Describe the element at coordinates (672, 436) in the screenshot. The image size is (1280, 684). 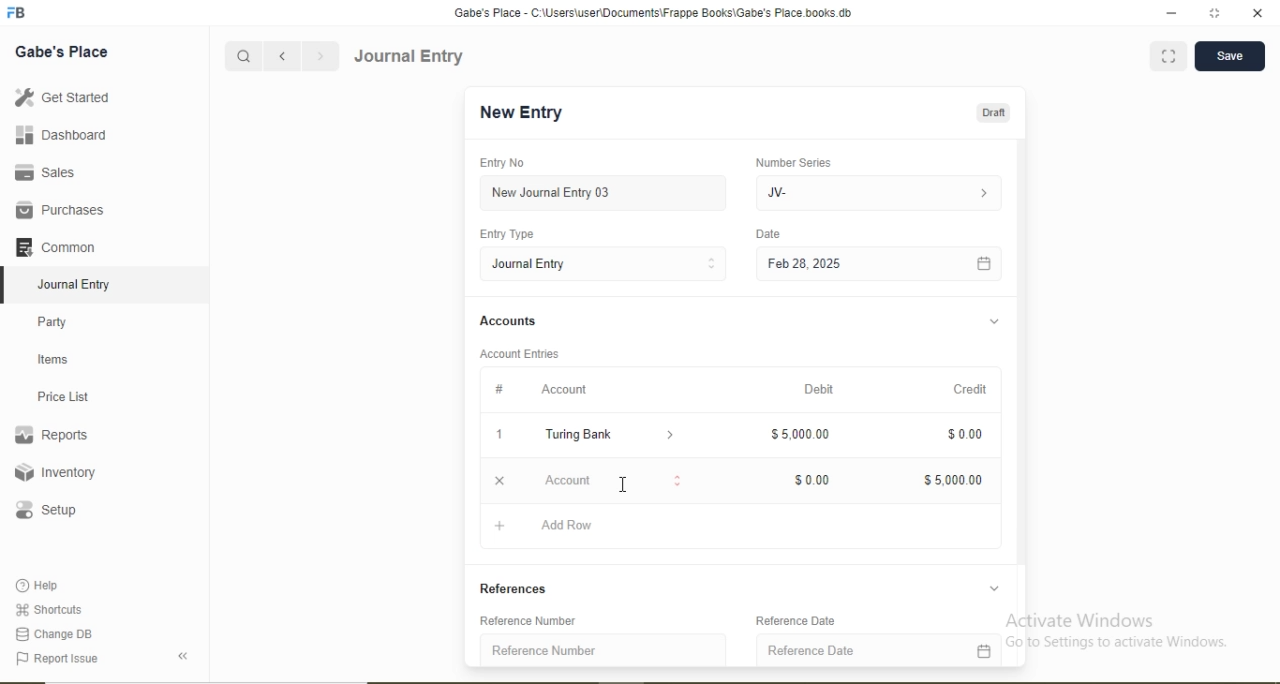
I see `Dropdown` at that location.